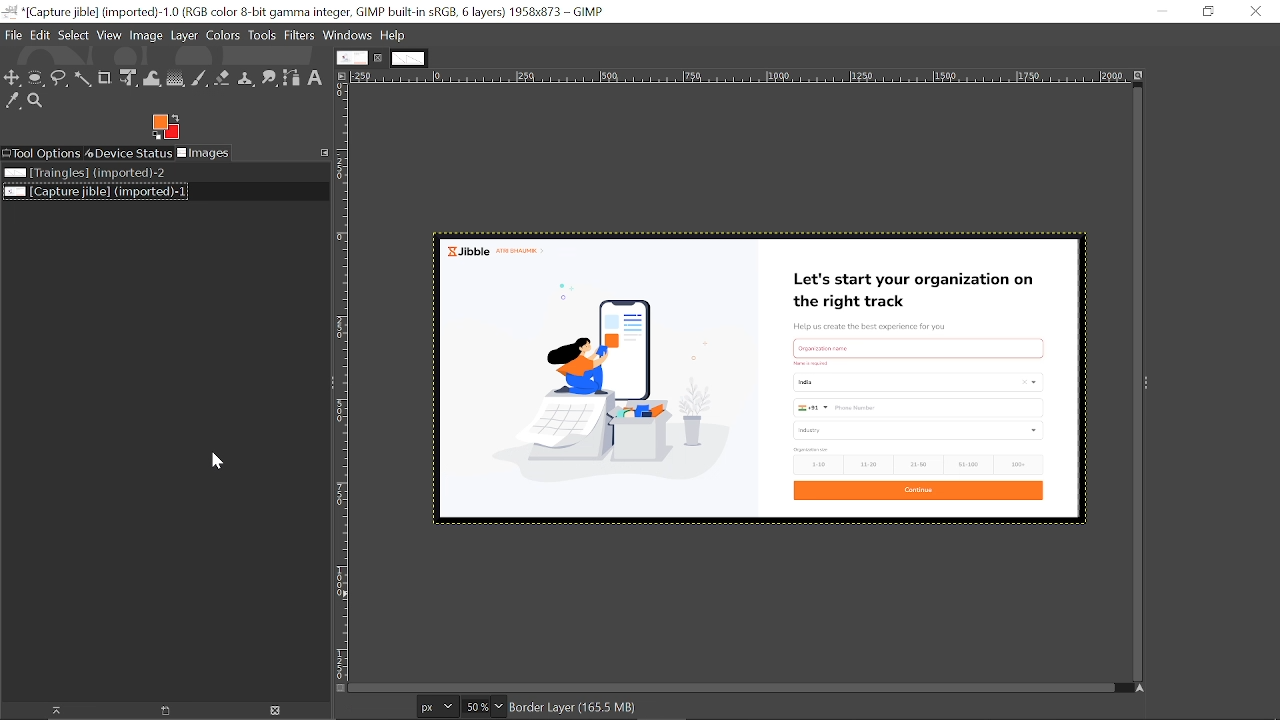 Image resolution: width=1280 pixels, height=720 pixels. I want to click on Other tab, so click(408, 59).